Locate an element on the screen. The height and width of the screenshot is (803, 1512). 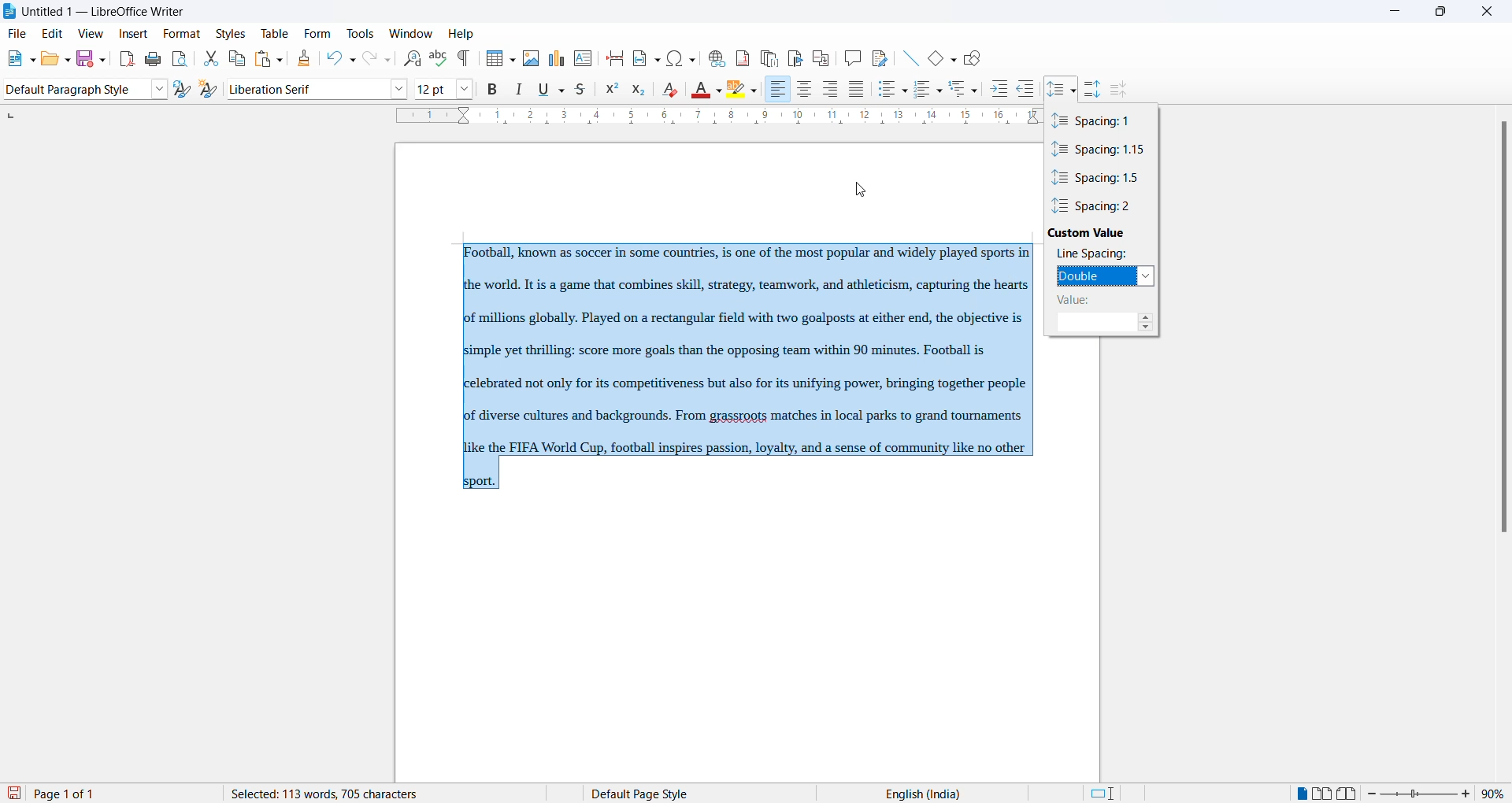
tools is located at coordinates (358, 32).